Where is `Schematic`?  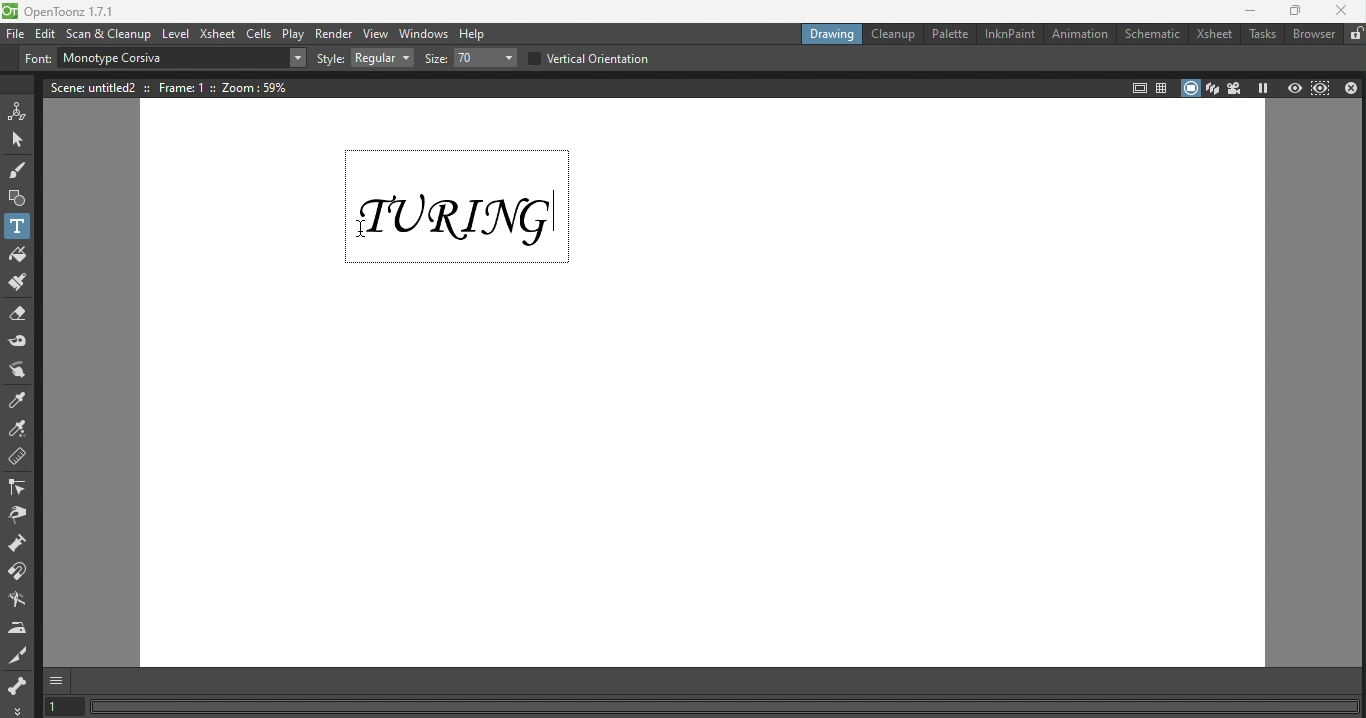
Schematic is located at coordinates (1153, 34).